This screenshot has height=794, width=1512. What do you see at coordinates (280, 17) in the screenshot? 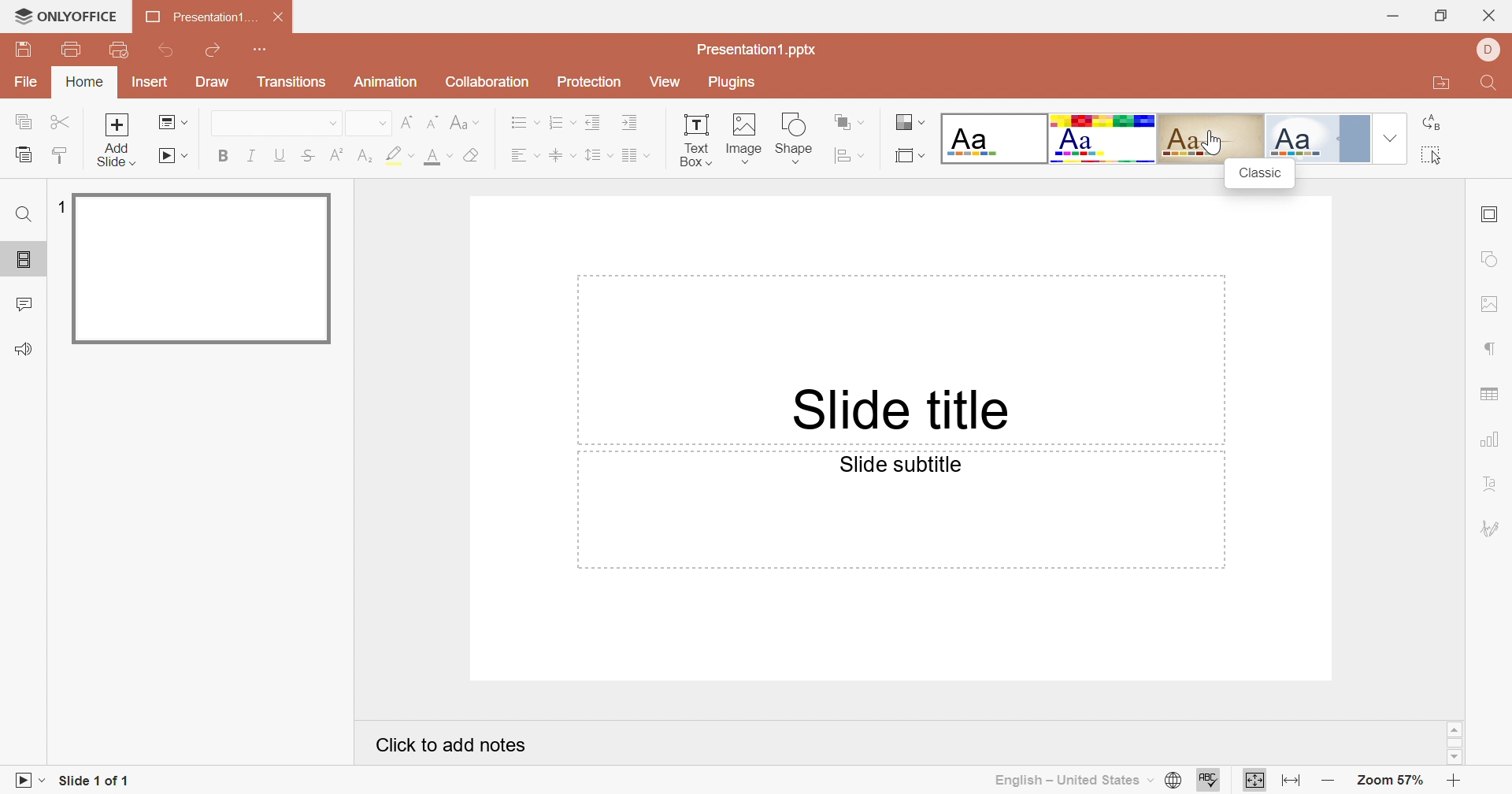
I see `Close` at bounding box center [280, 17].